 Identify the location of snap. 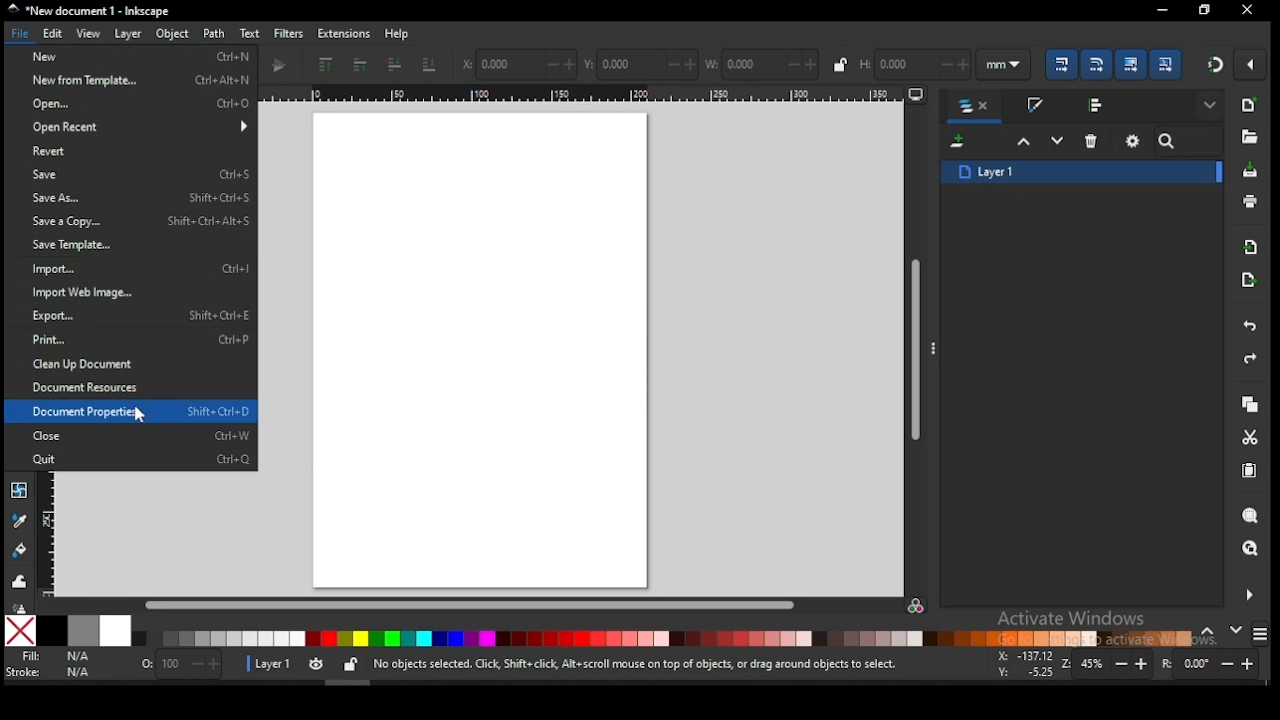
(1216, 64).